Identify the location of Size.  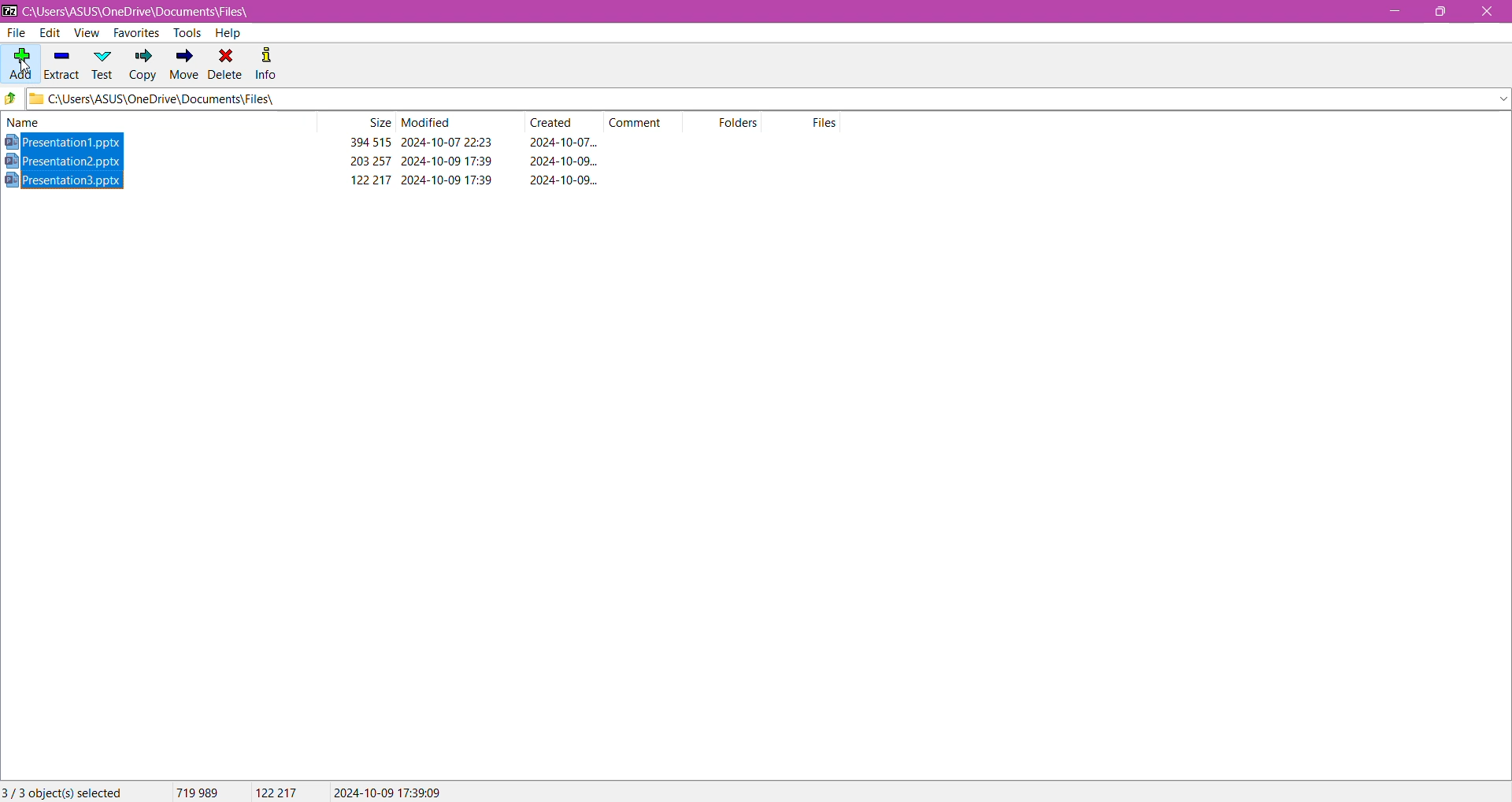
(378, 123).